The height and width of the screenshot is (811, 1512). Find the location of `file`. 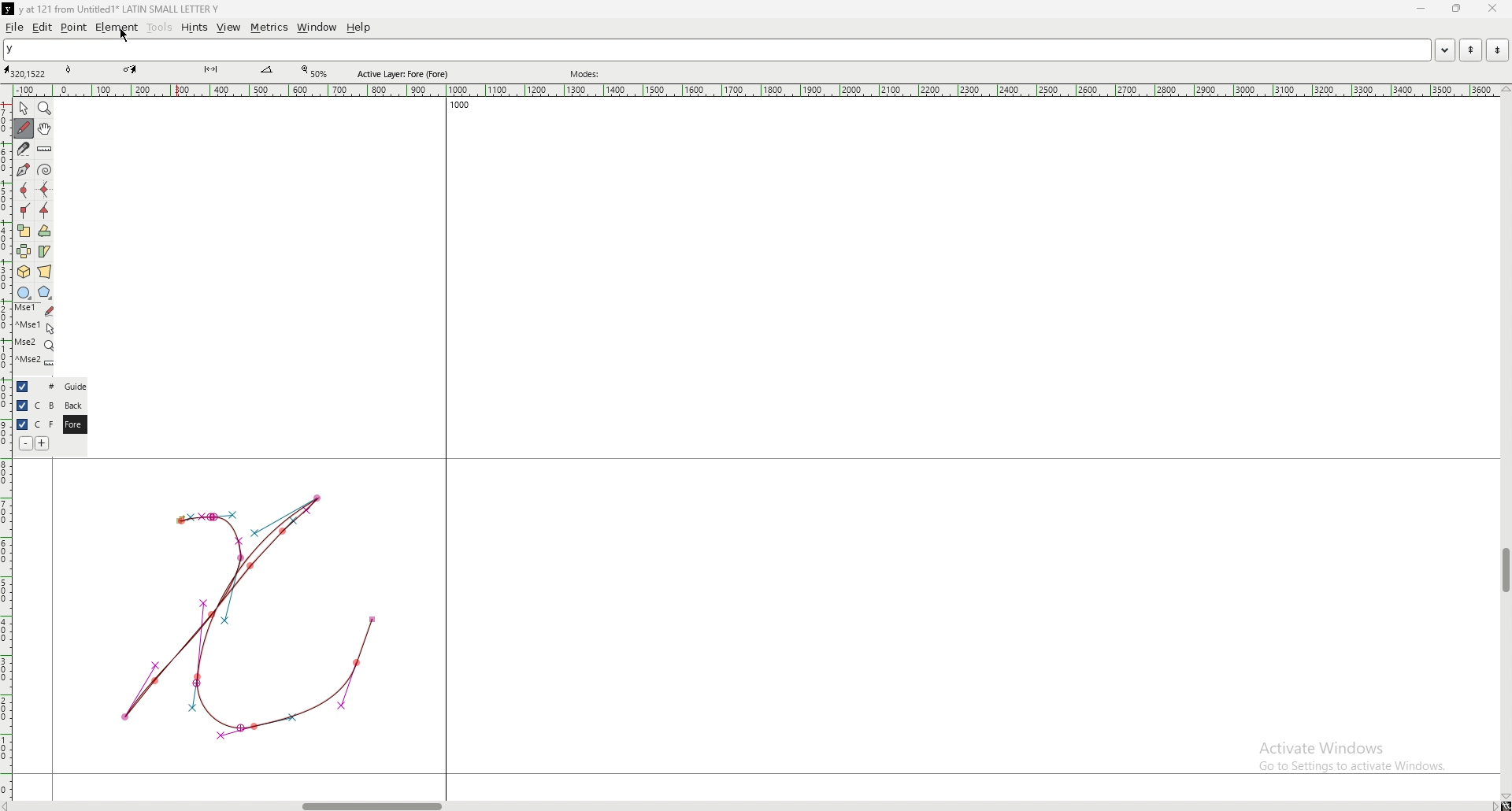

file is located at coordinates (15, 27).